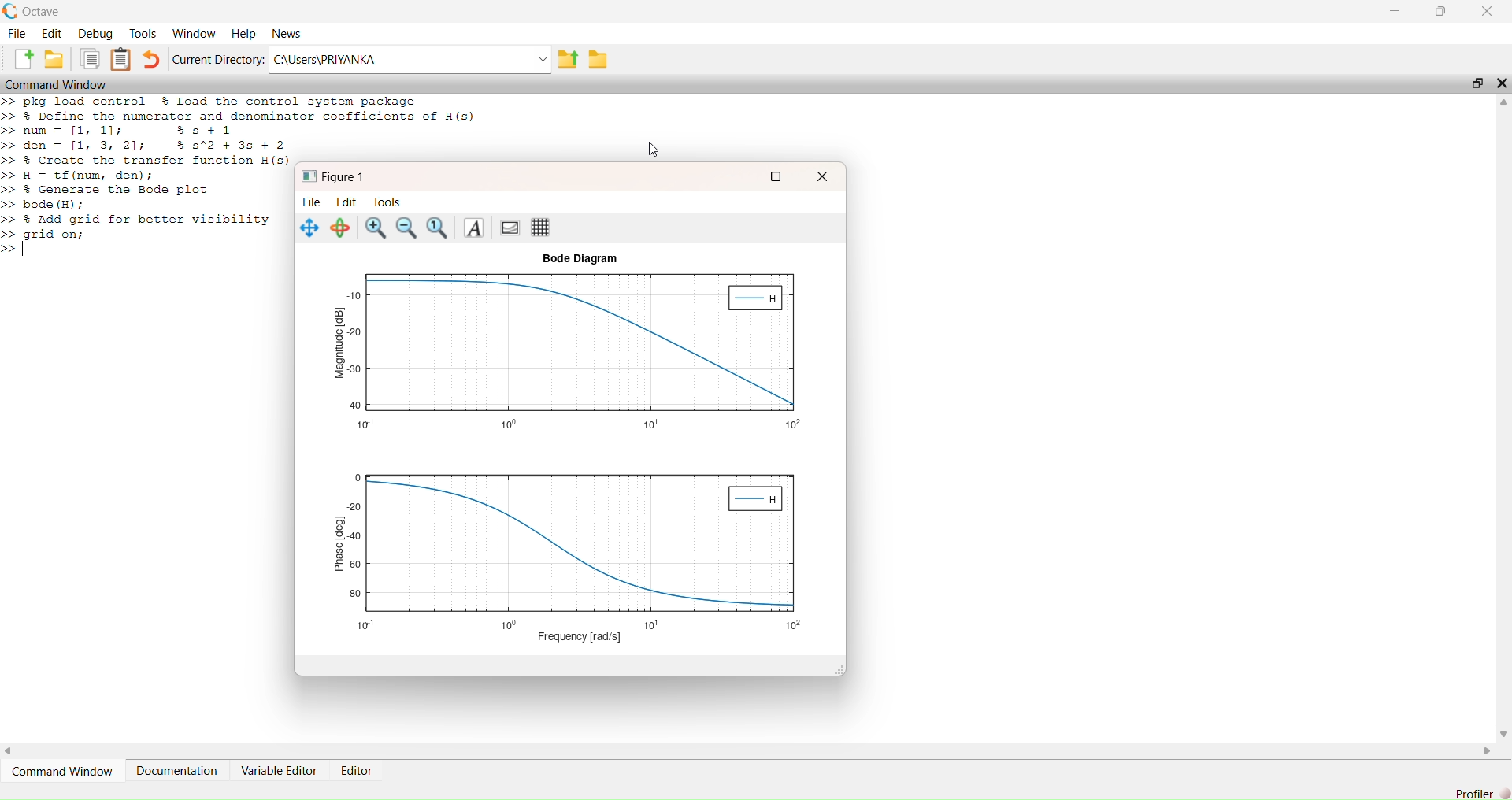 The height and width of the screenshot is (800, 1512). What do you see at coordinates (313, 202) in the screenshot?
I see `File` at bounding box center [313, 202].